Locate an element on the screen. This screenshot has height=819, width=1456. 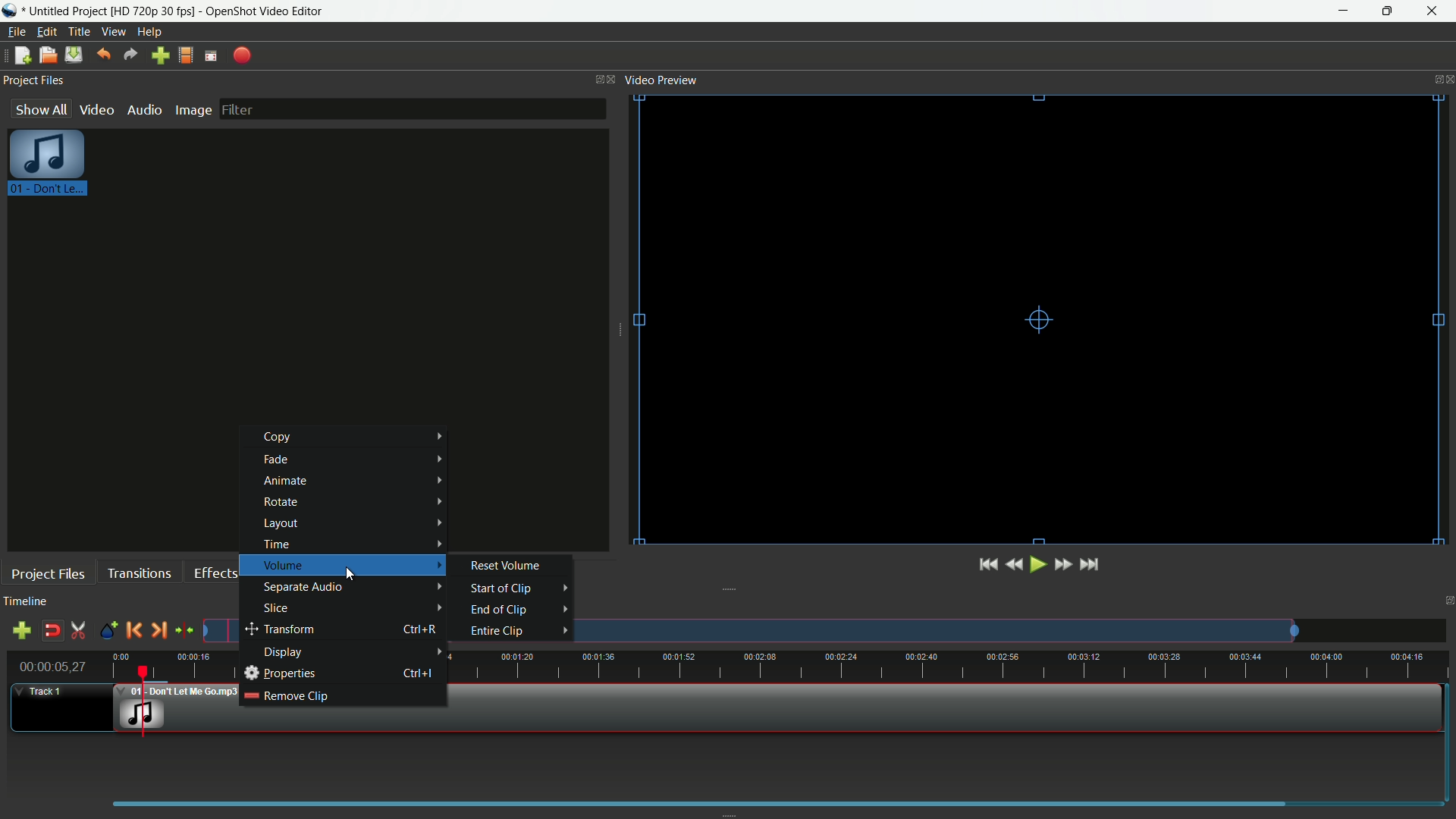
edit menu is located at coordinates (46, 31).